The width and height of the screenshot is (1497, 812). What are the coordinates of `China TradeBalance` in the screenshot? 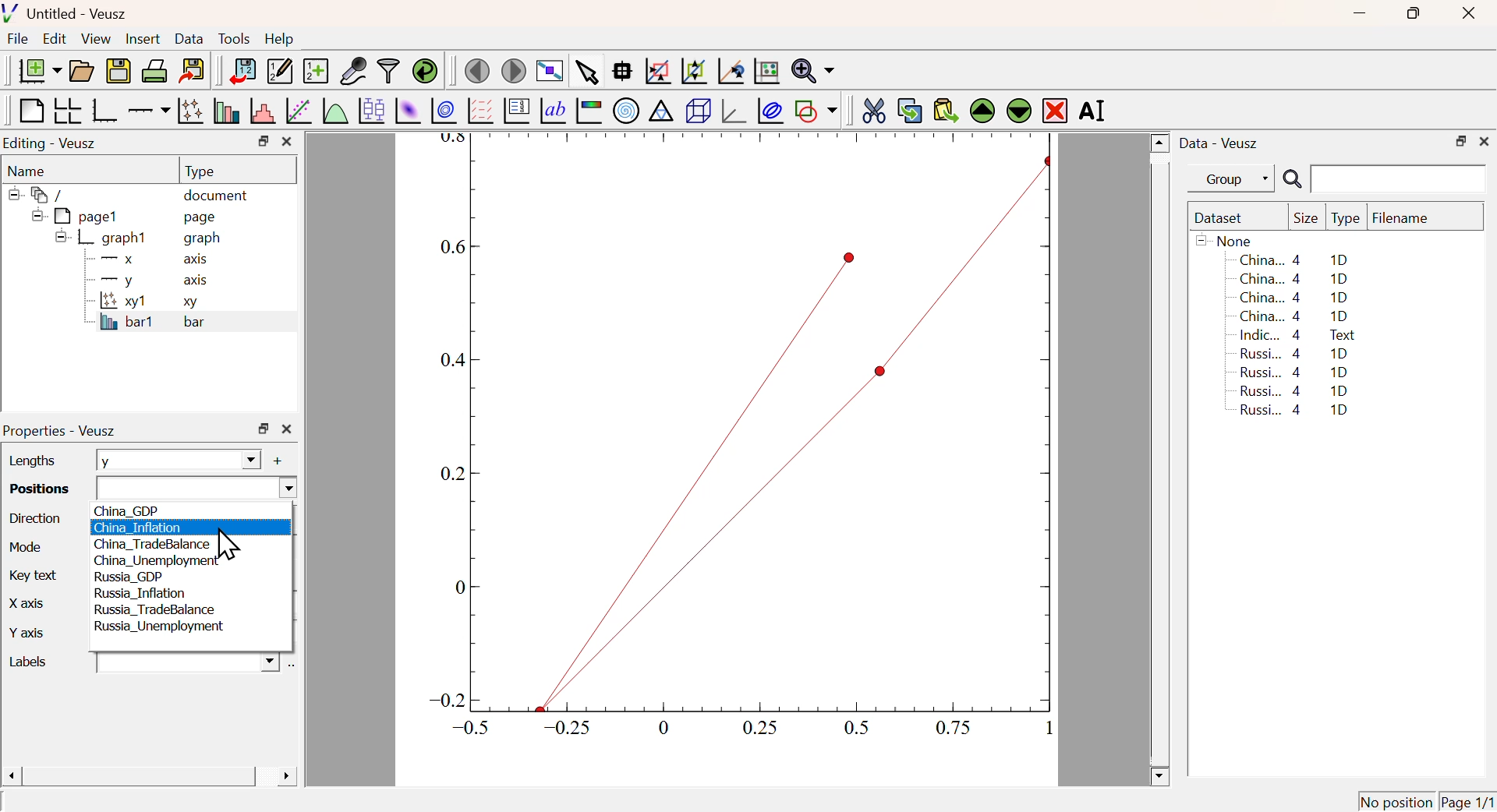 It's located at (153, 544).